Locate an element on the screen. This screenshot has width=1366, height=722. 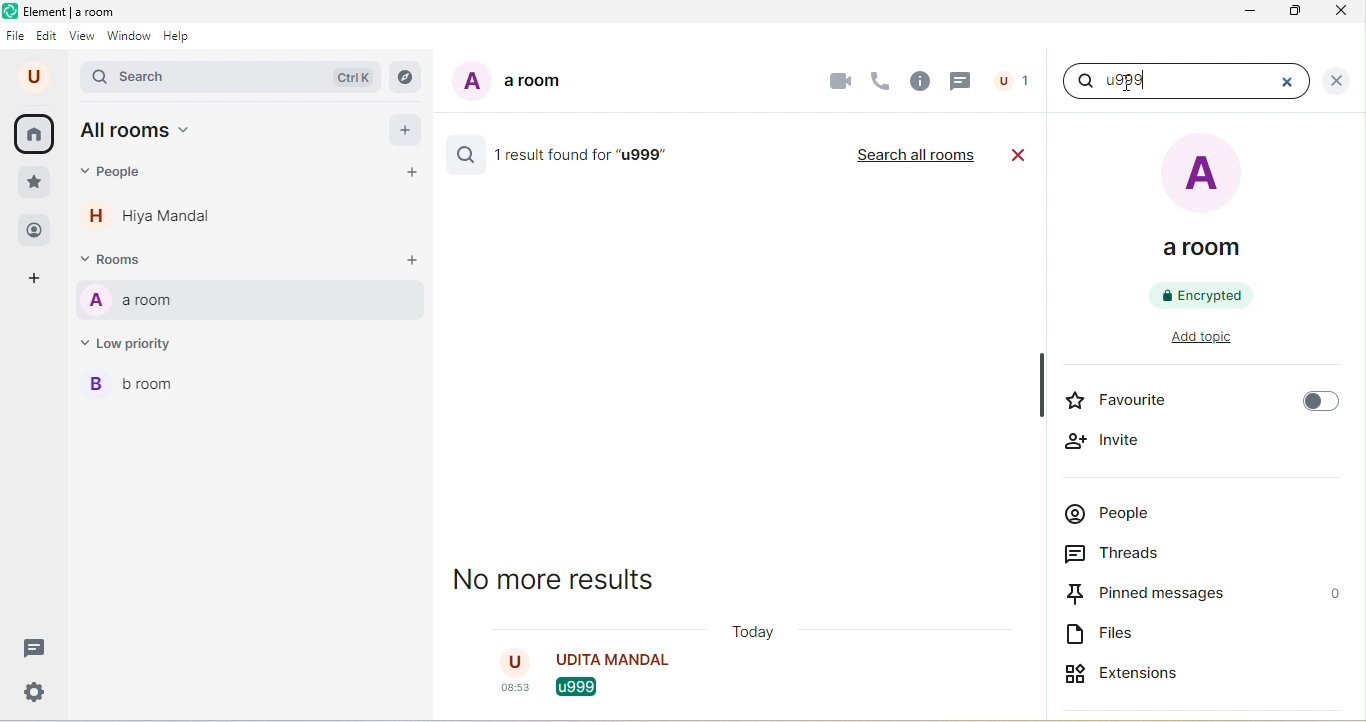
add room is located at coordinates (411, 261).